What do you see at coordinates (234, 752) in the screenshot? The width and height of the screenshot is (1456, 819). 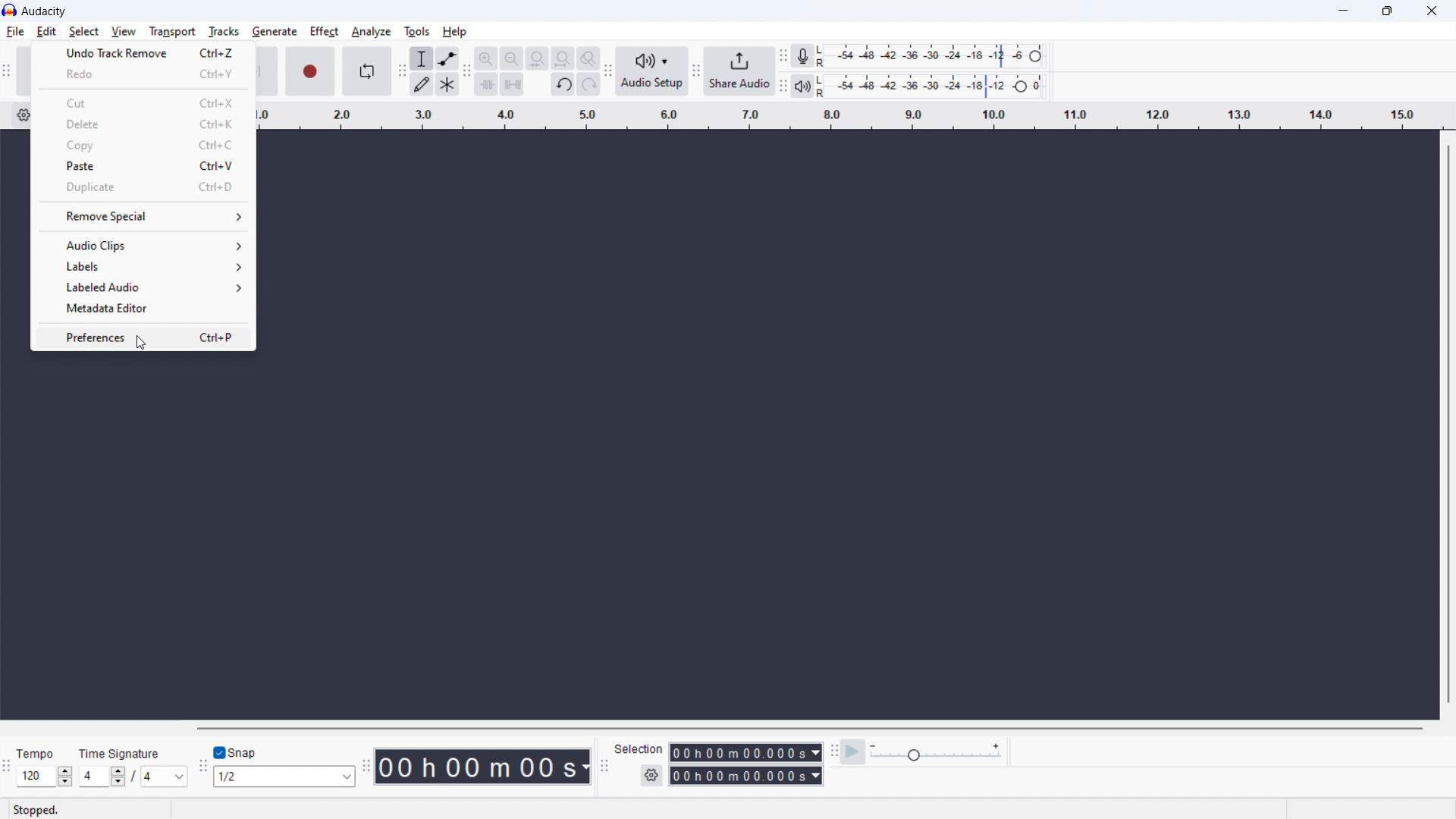 I see `toggle snap` at bounding box center [234, 752].